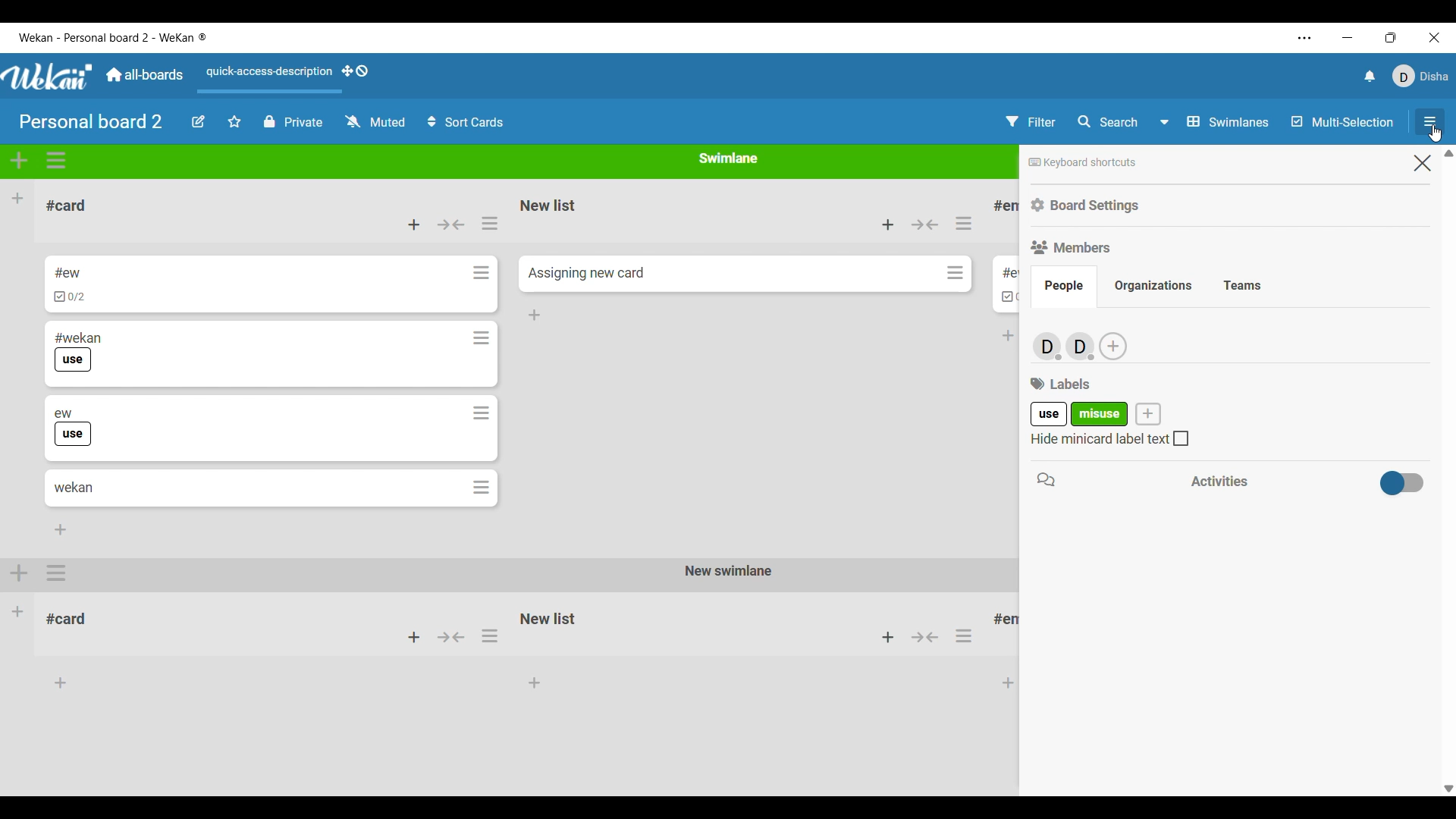 The width and height of the screenshot is (1456, 819). What do you see at coordinates (1242, 287) in the screenshot?
I see `Teams` at bounding box center [1242, 287].